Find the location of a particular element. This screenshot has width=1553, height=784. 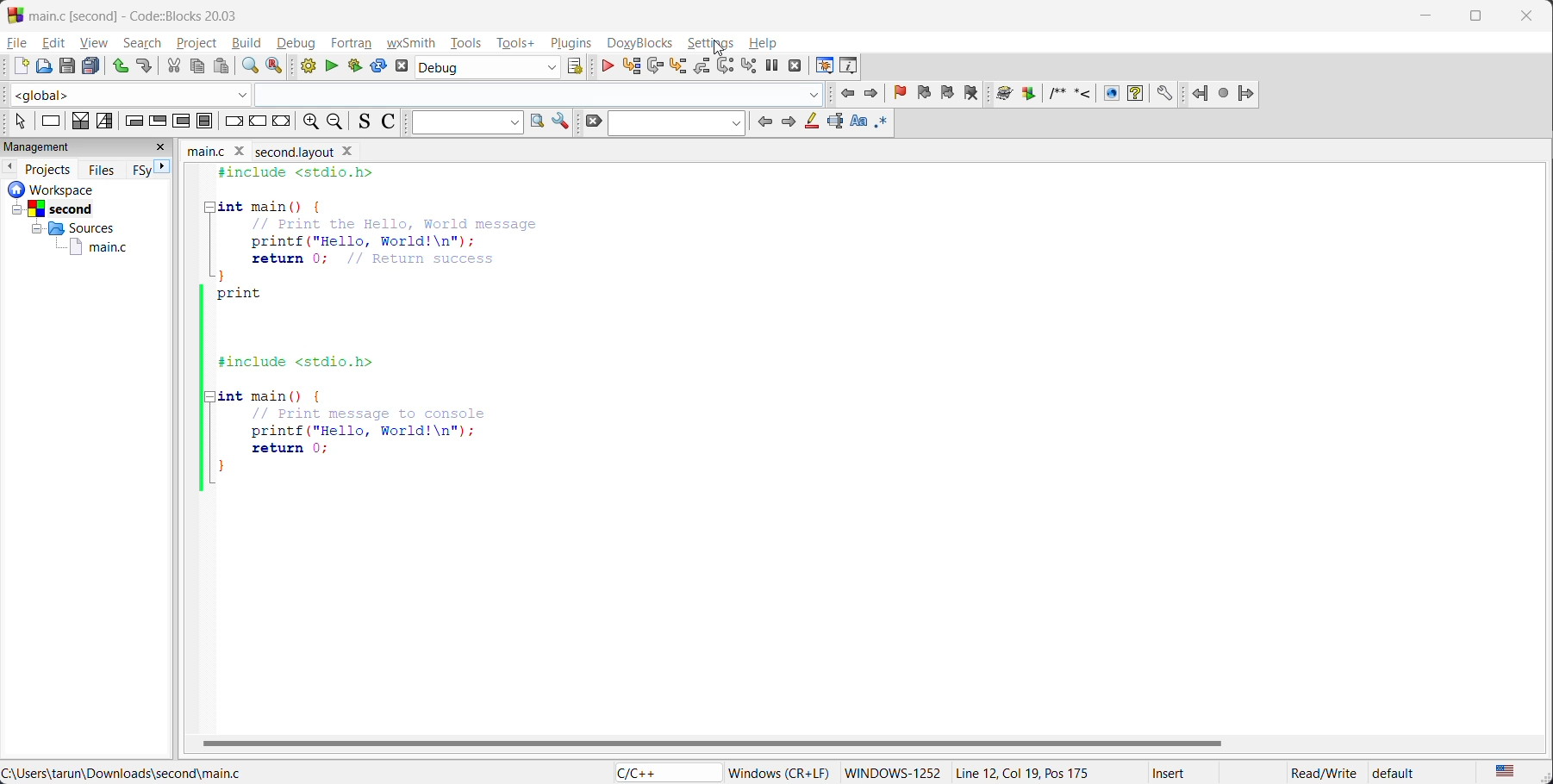

jump forward is located at coordinates (1247, 94).